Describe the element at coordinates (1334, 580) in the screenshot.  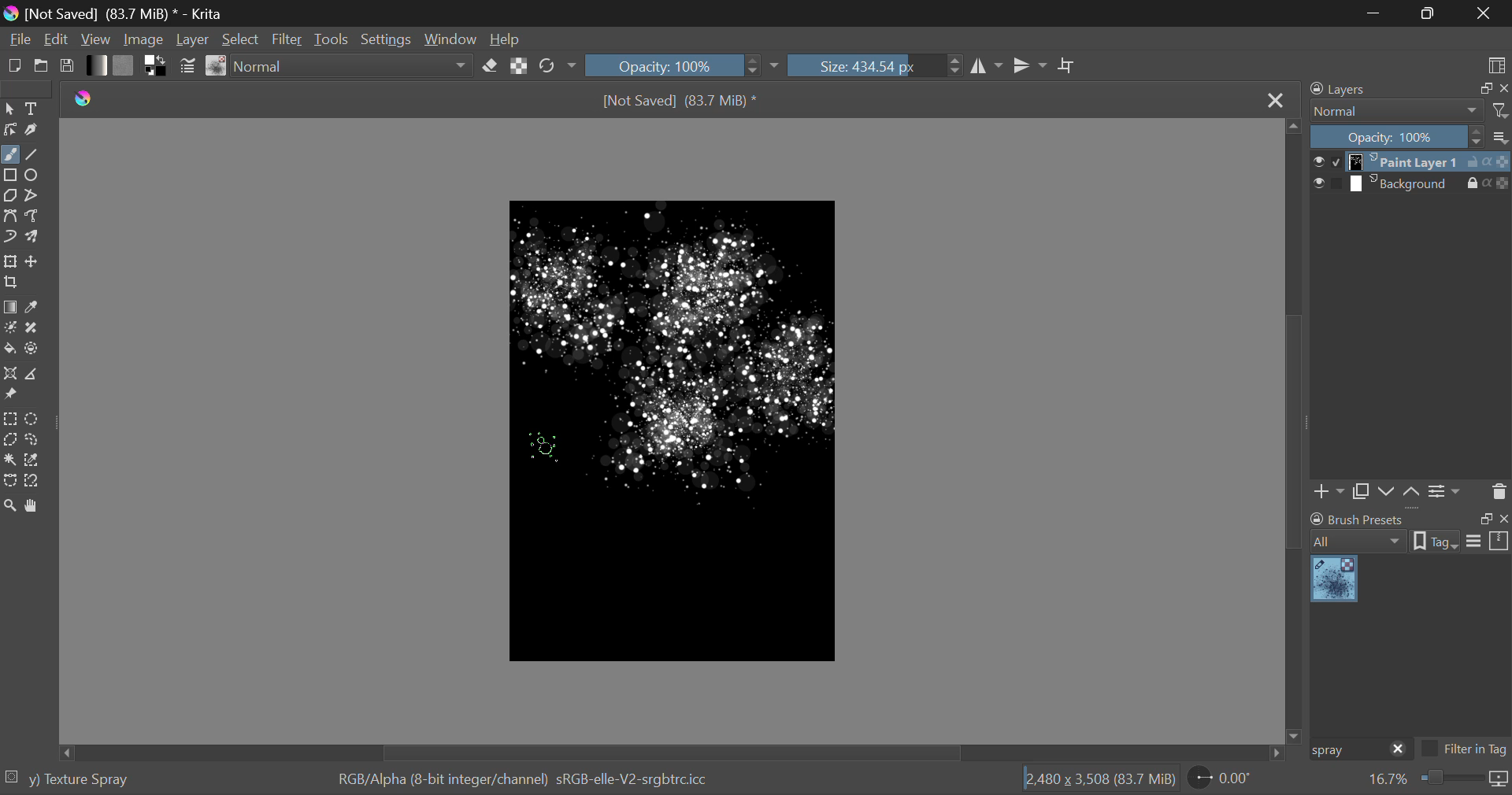
I see `Spray Brush Preset` at that location.